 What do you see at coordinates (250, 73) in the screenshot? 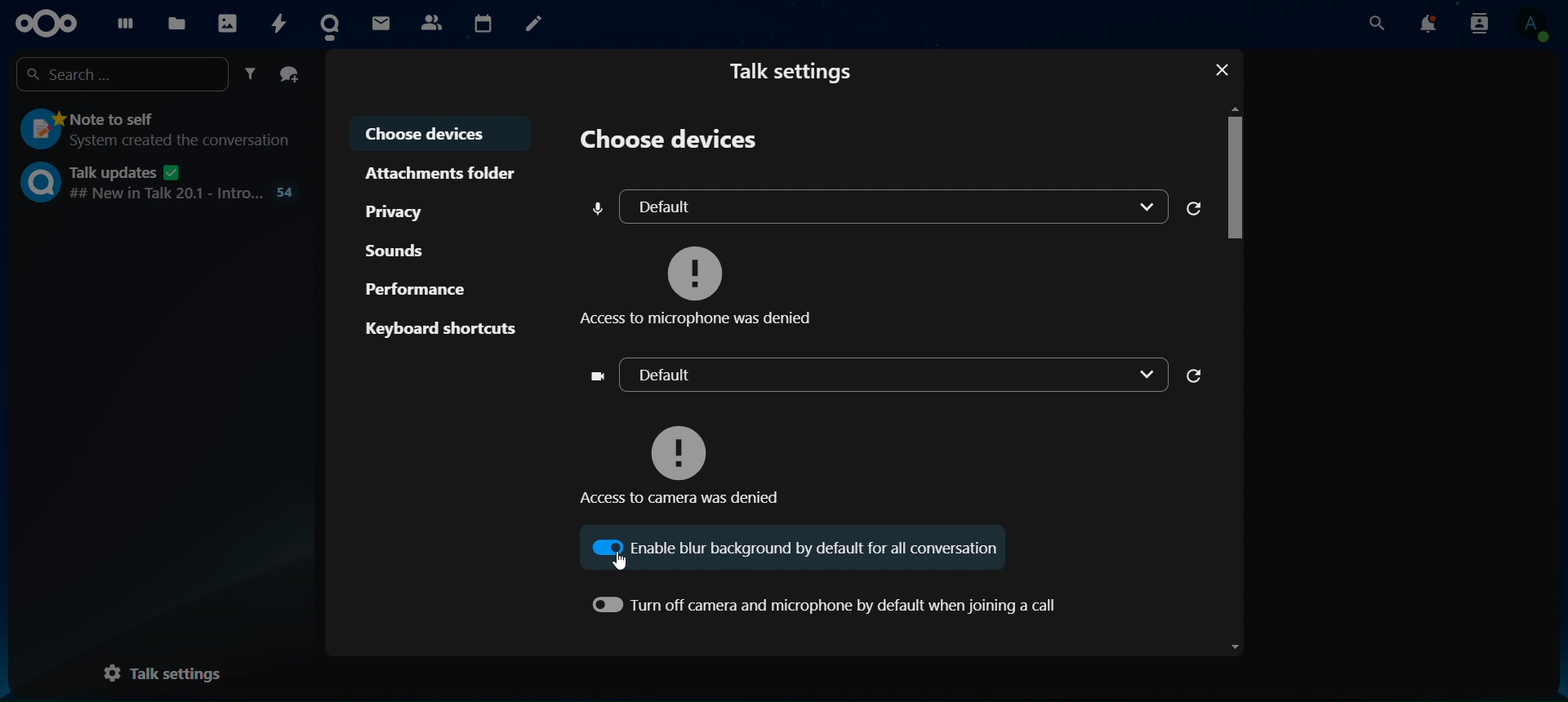
I see `filter` at bounding box center [250, 73].